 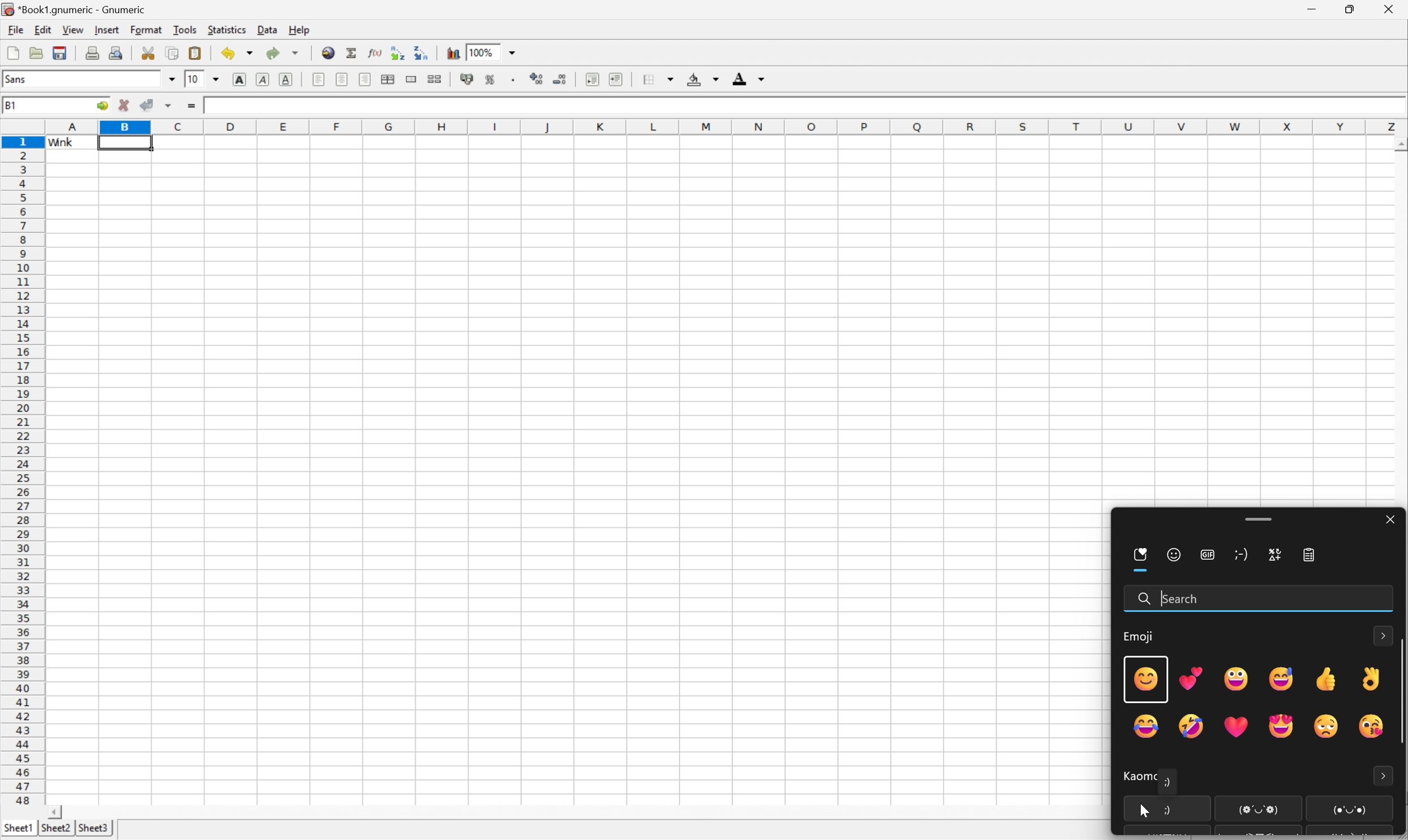 I want to click on align right, so click(x=365, y=79).